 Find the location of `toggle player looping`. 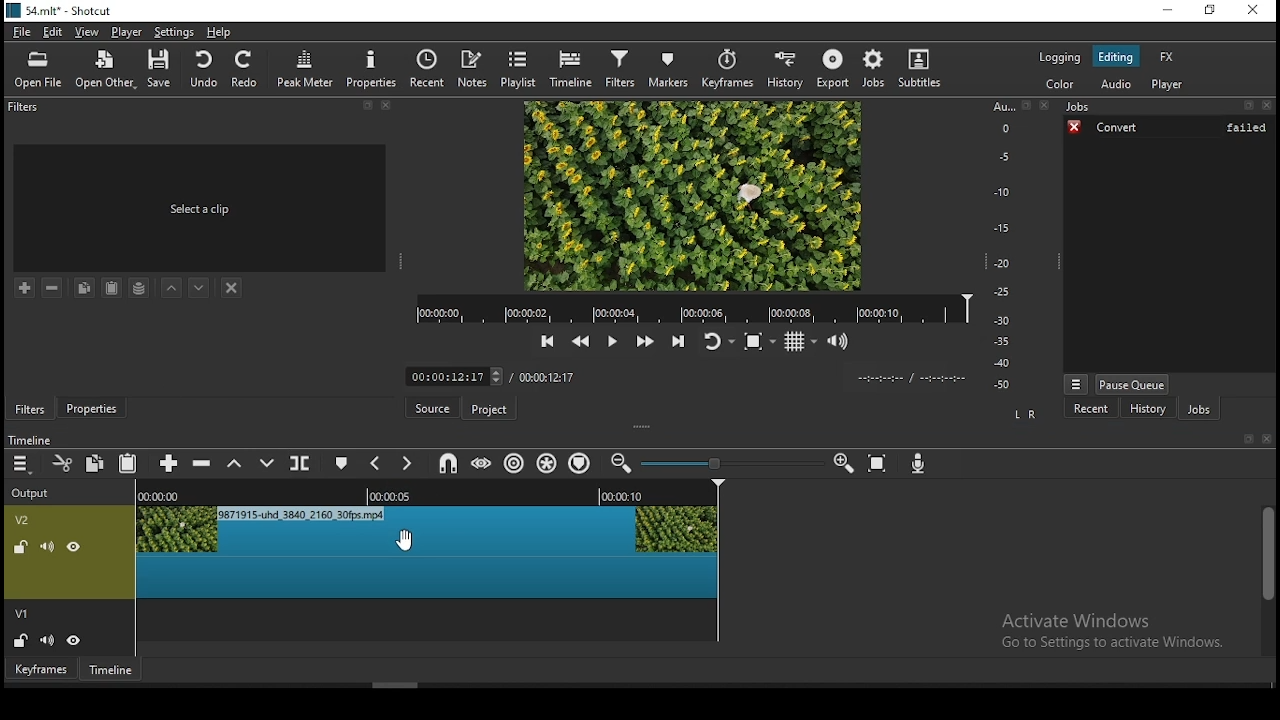

toggle player looping is located at coordinates (718, 343).